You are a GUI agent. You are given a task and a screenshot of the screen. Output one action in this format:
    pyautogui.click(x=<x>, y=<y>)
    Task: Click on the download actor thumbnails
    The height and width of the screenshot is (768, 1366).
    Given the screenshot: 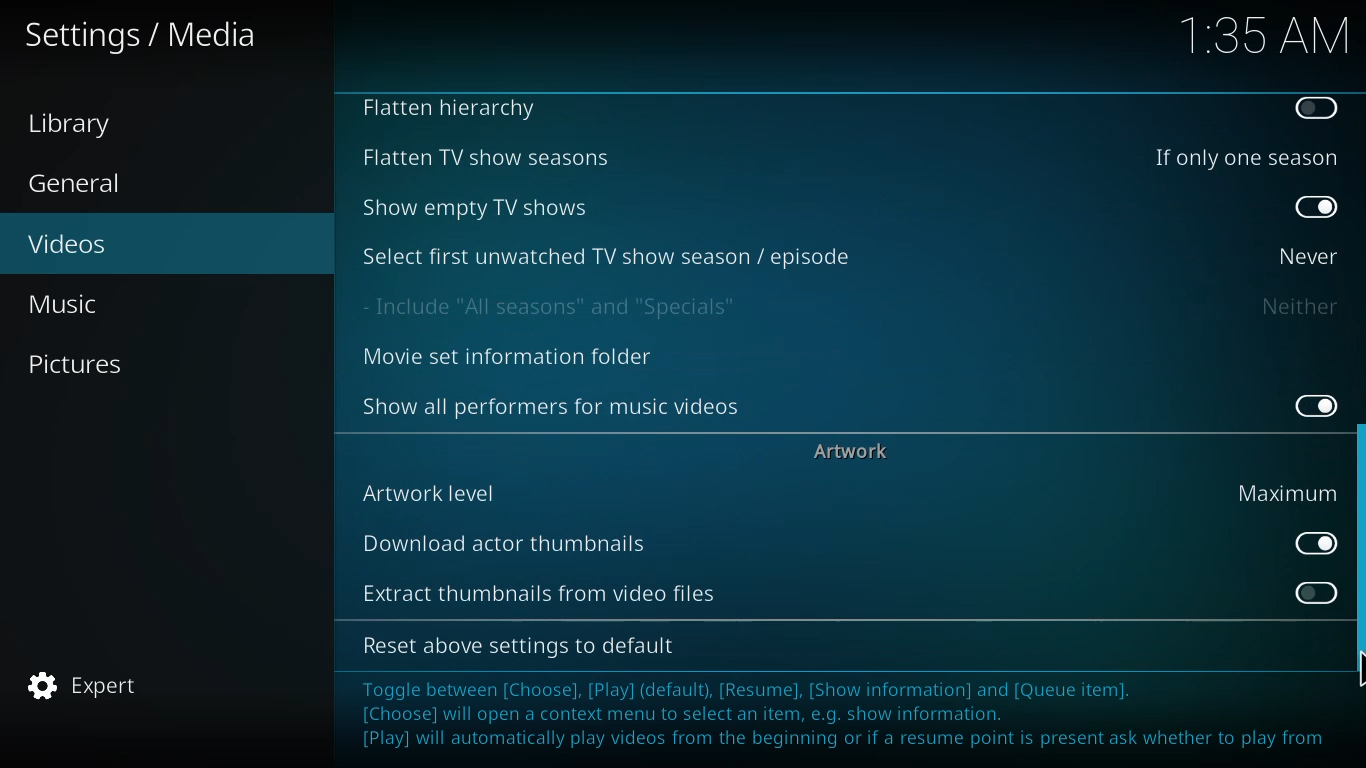 What is the action you would take?
    pyautogui.click(x=507, y=542)
    